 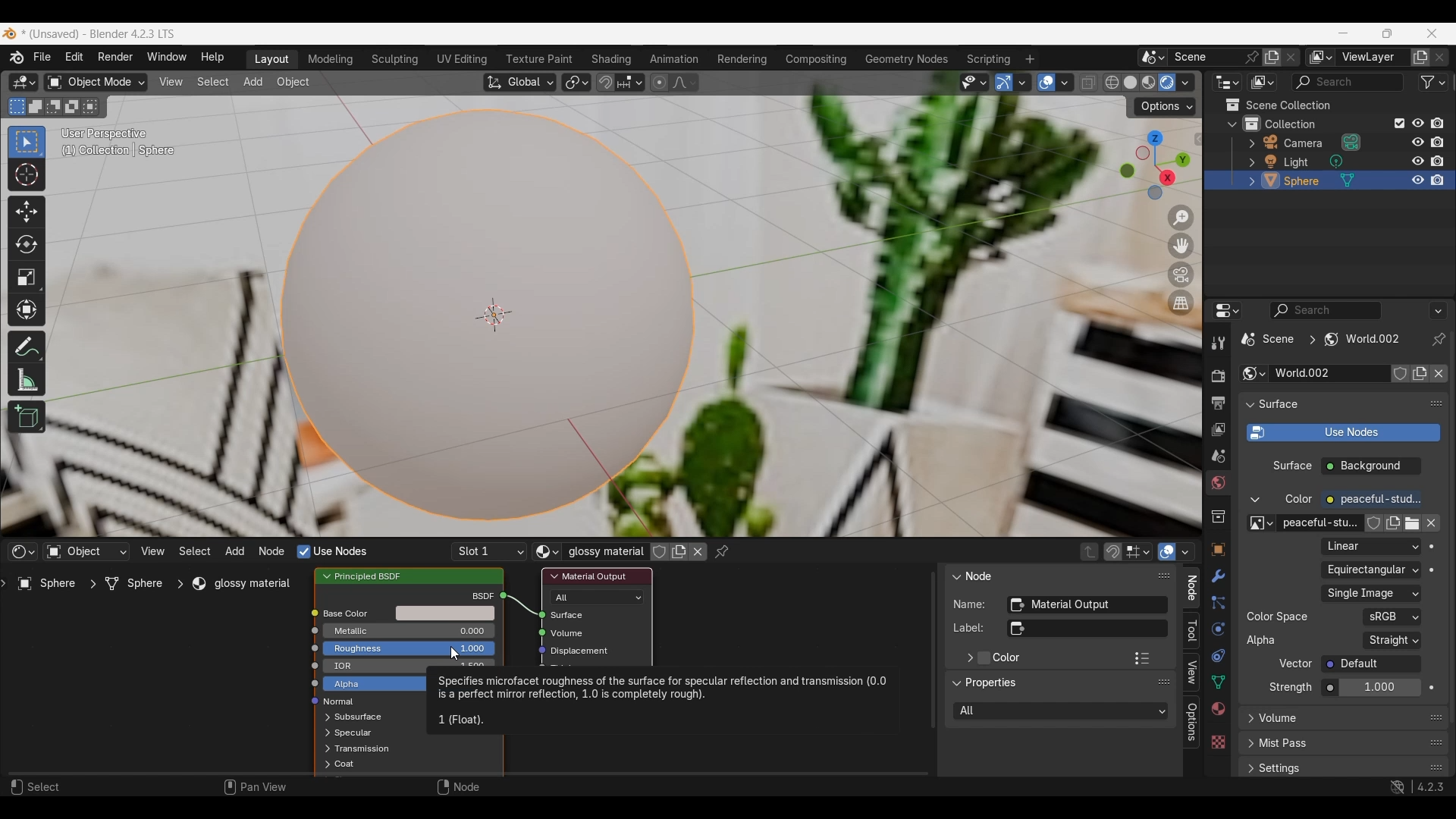 What do you see at coordinates (364, 748) in the screenshot?
I see `Transmission options` at bounding box center [364, 748].